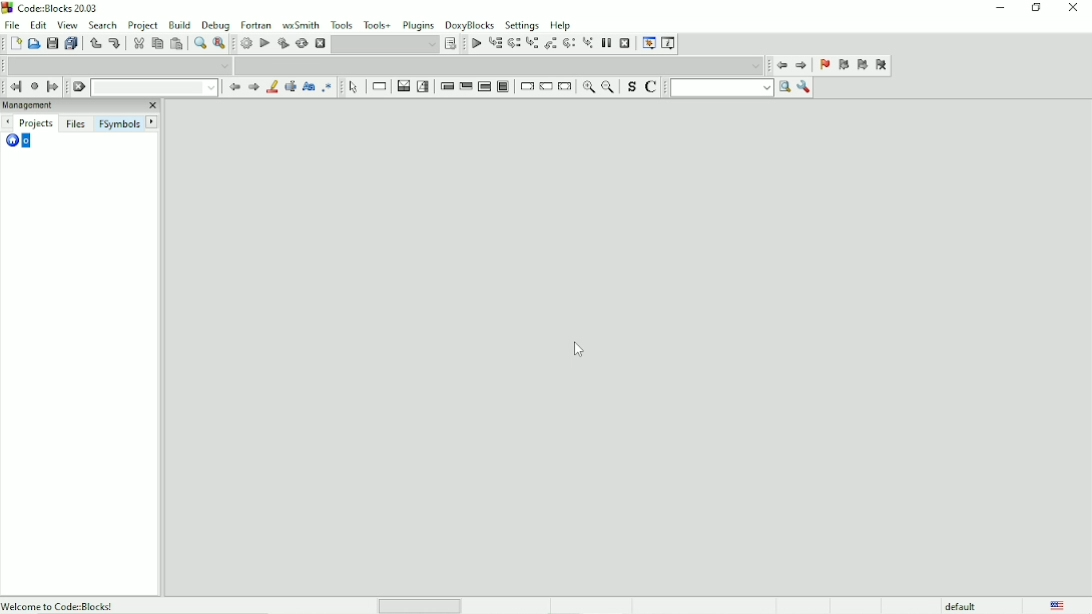 Image resolution: width=1092 pixels, height=614 pixels. What do you see at coordinates (138, 43) in the screenshot?
I see `Cut` at bounding box center [138, 43].